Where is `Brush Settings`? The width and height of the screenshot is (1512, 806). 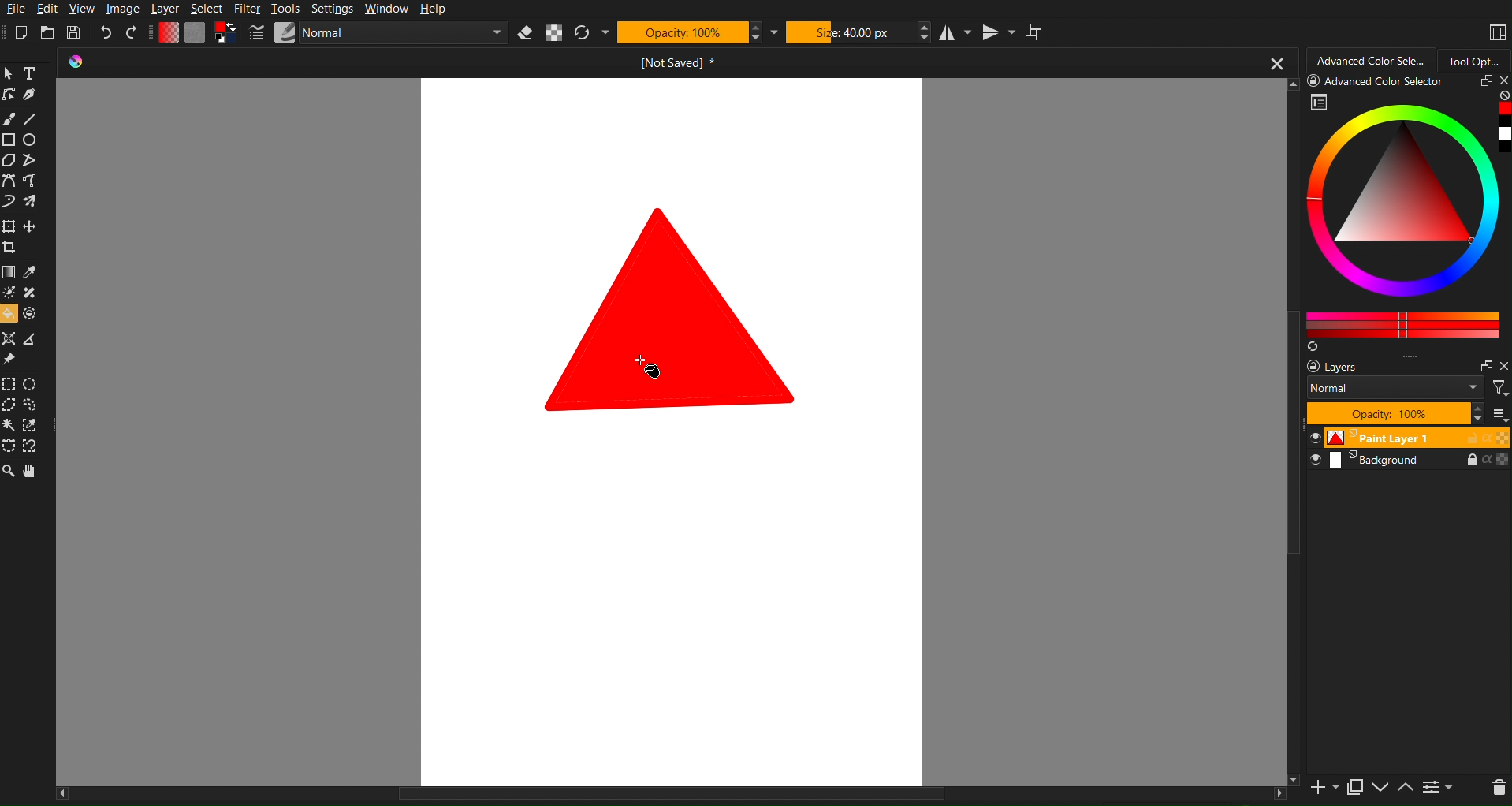
Brush Settings is located at coordinates (379, 34).